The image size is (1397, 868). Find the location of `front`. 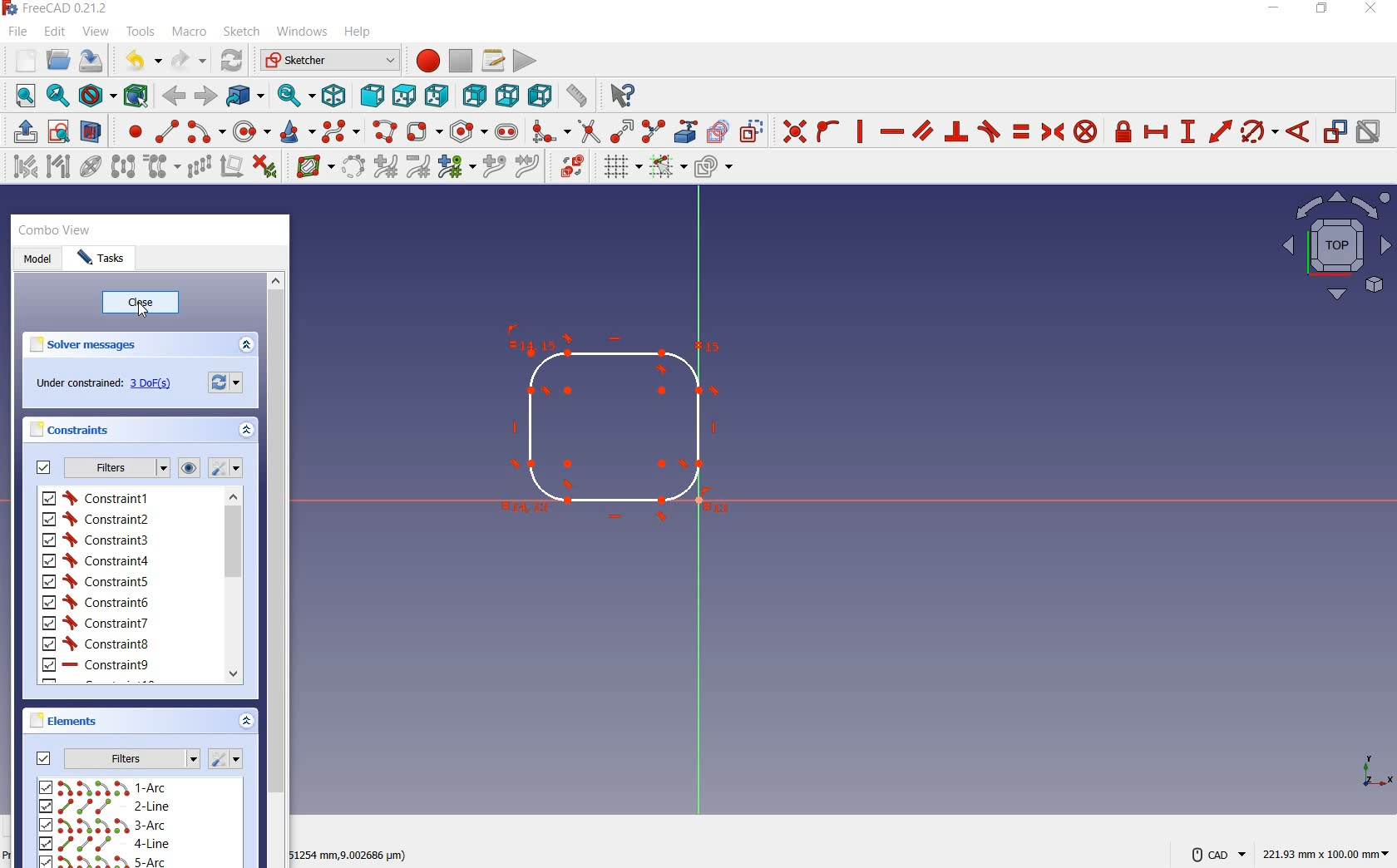

front is located at coordinates (373, 96).